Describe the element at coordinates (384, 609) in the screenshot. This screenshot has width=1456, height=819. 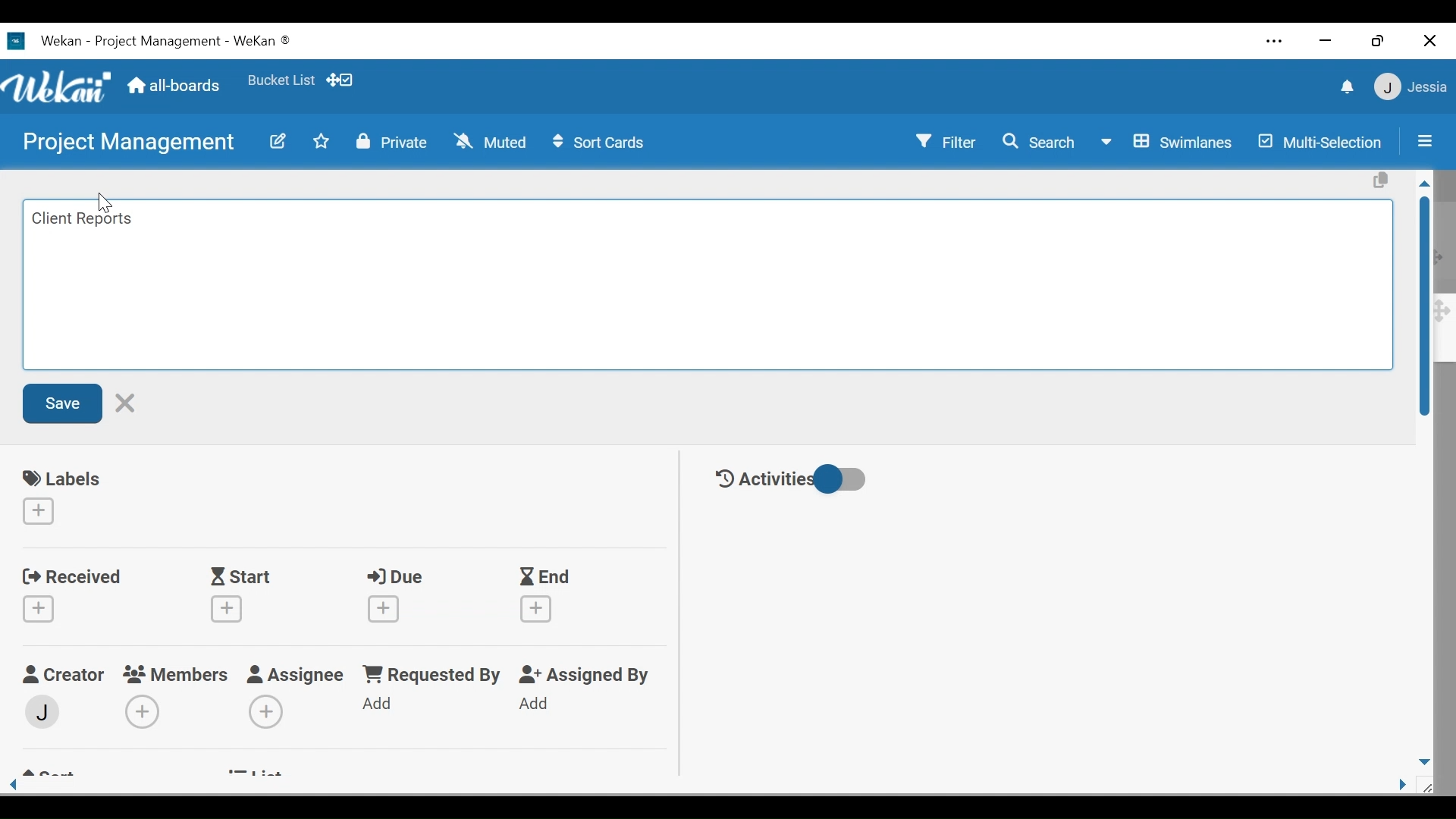
I see `Create due date ` at that location.